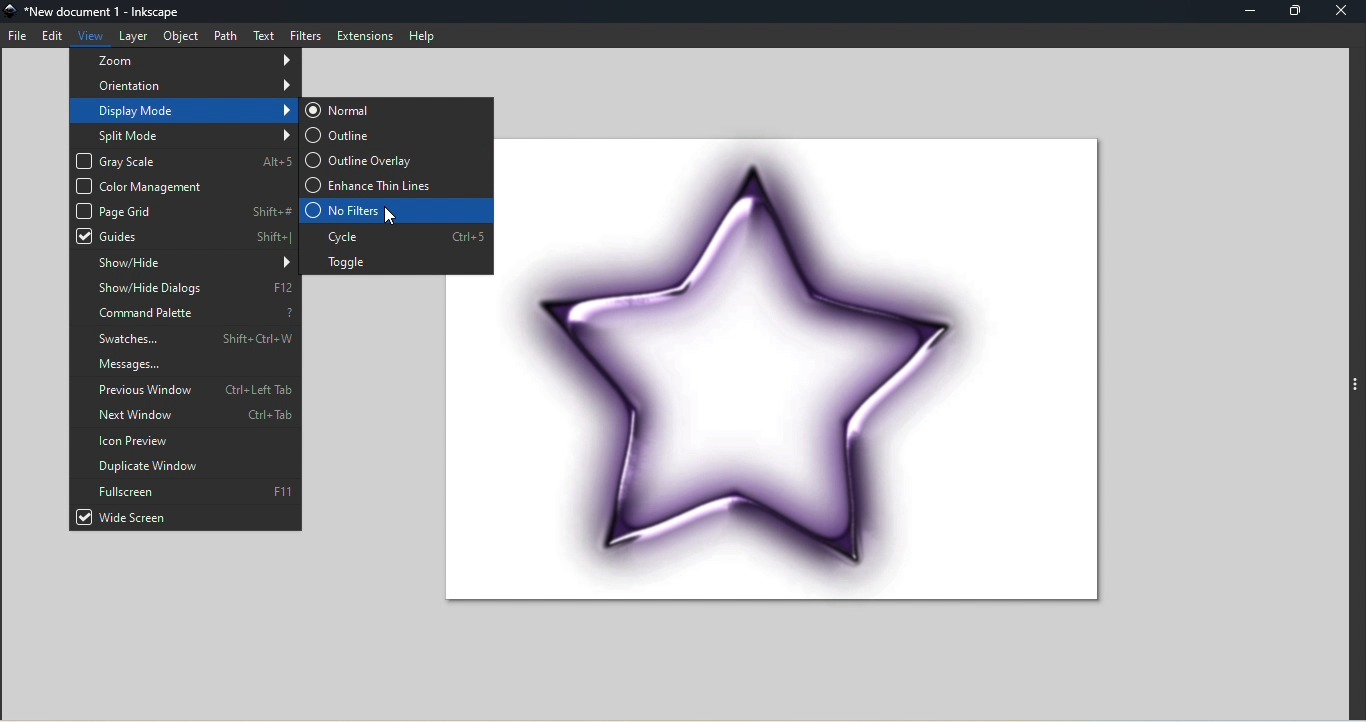 The image size is (1366, 722). What do you see at coordinates (186, 236) in the screenshot?
I see `Guides` at bounding box center [186, 236].